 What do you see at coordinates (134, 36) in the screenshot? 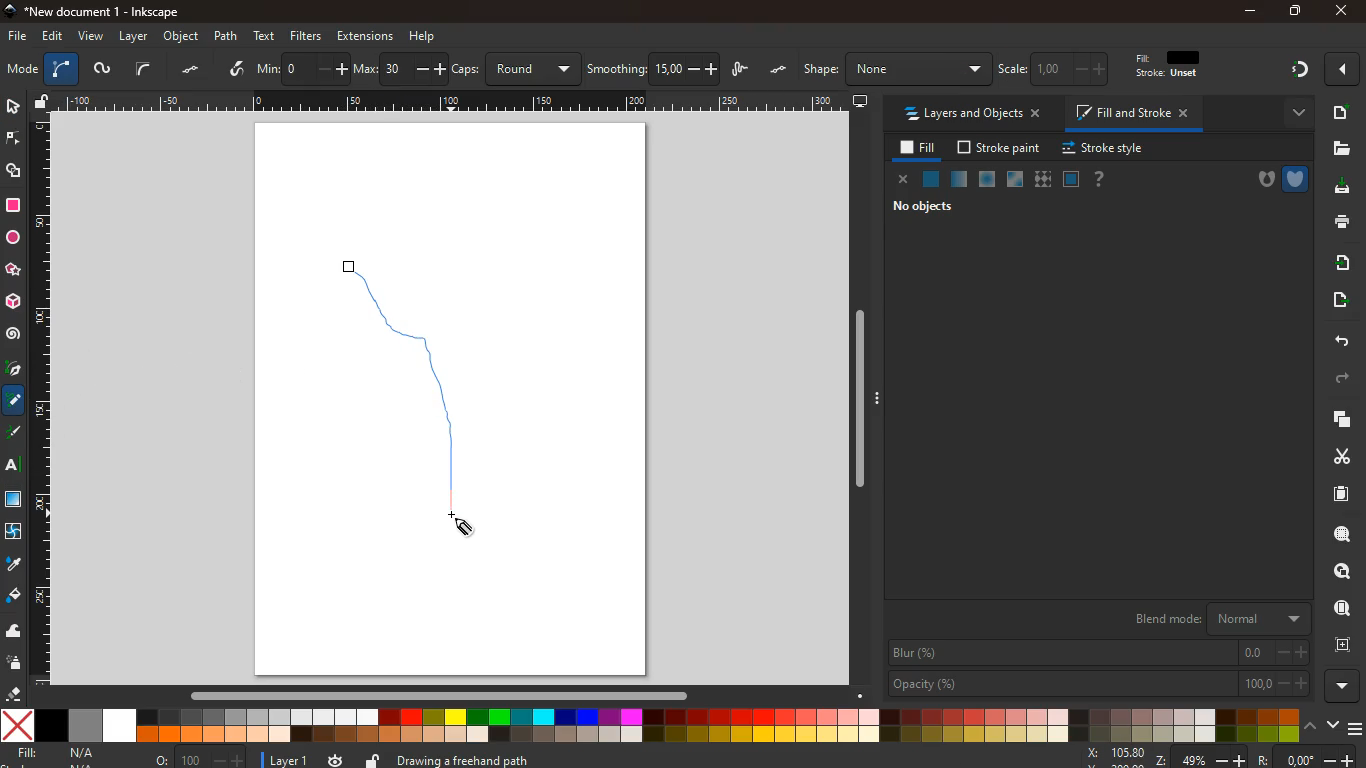
I see `layer` at bounding box center [134, 36].